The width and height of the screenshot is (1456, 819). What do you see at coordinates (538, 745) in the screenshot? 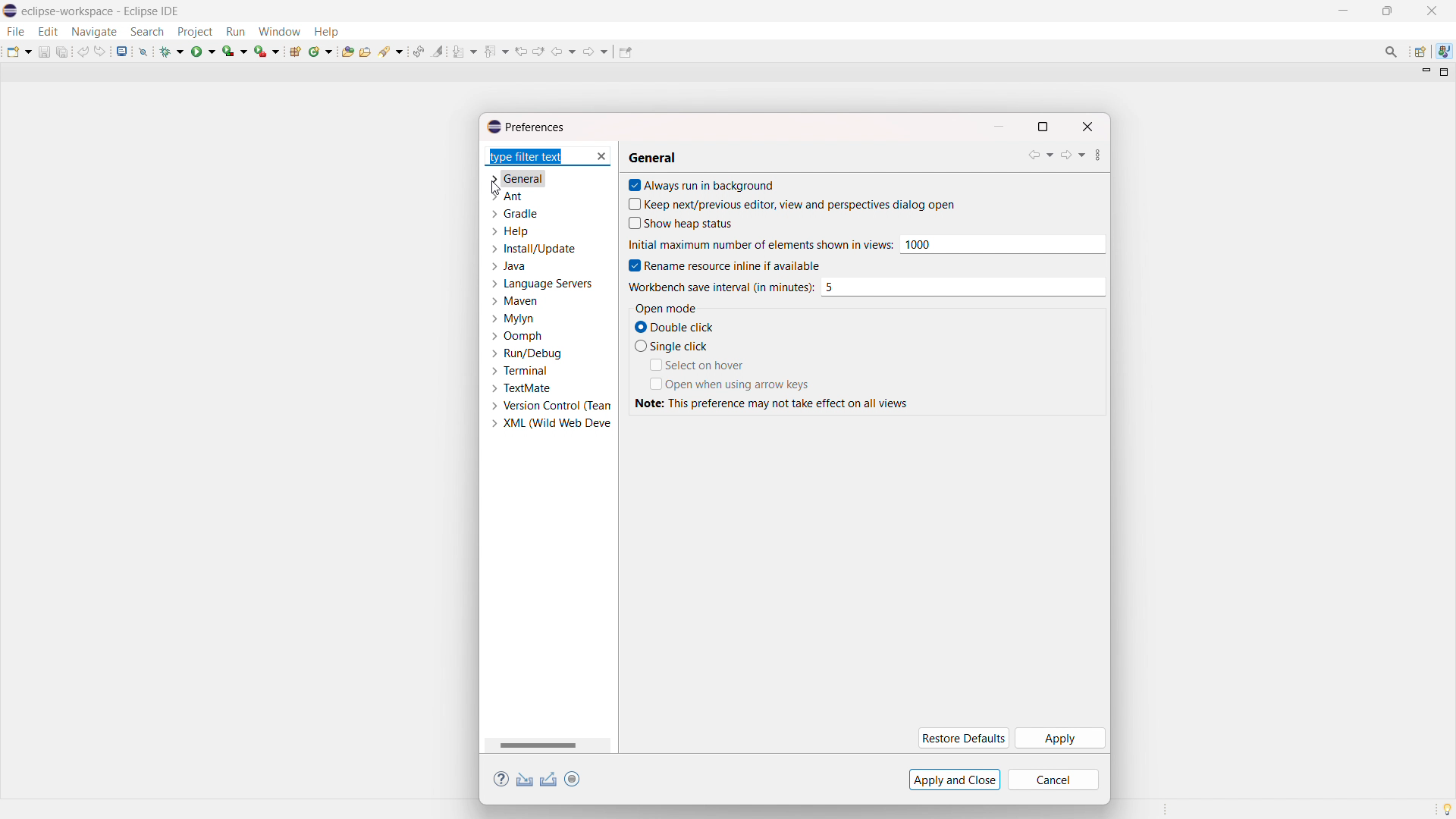
I see `scrollbar` at bounding box center [538, 745].